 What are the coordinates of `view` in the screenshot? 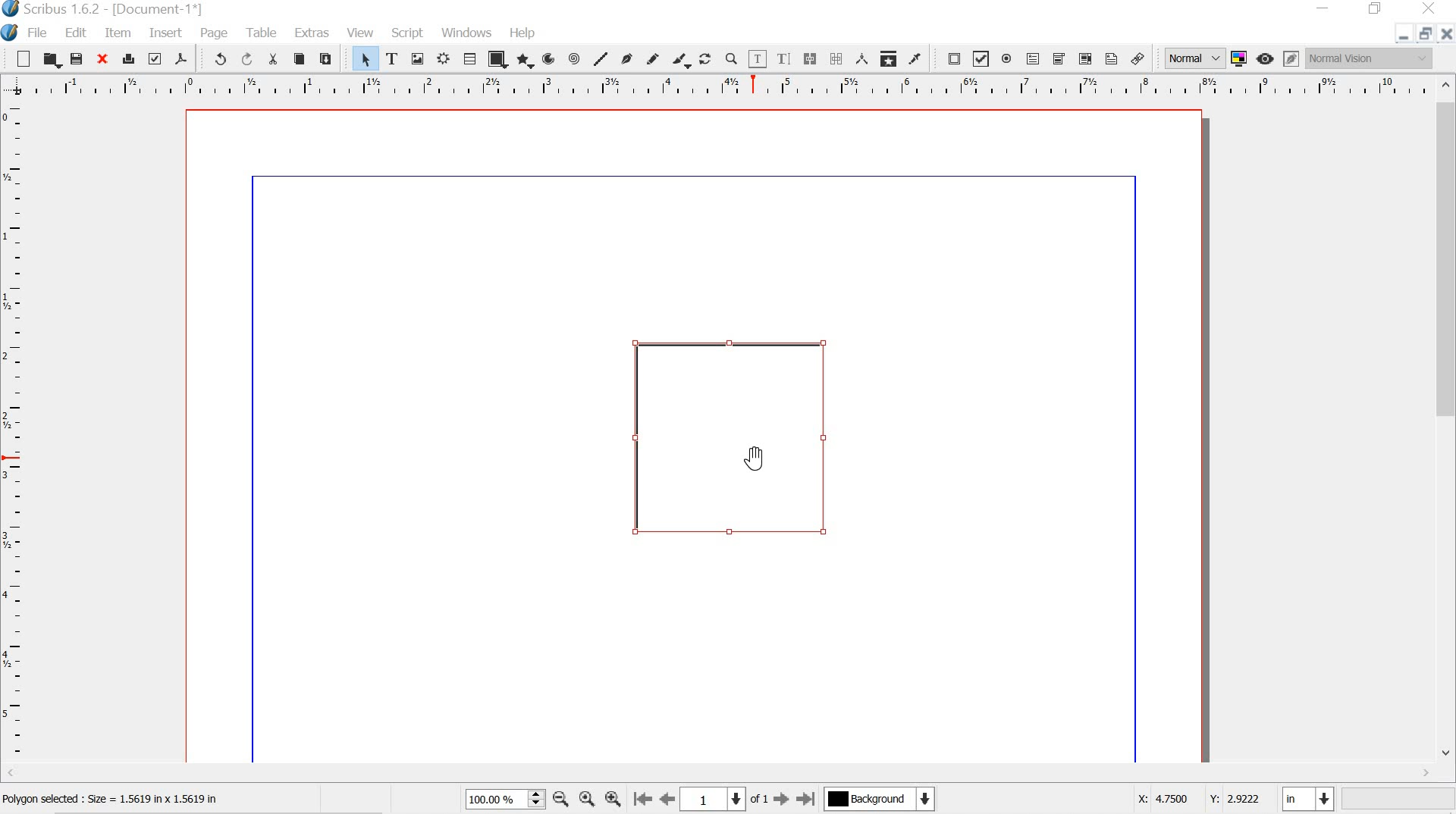 It's located at (362, 31).